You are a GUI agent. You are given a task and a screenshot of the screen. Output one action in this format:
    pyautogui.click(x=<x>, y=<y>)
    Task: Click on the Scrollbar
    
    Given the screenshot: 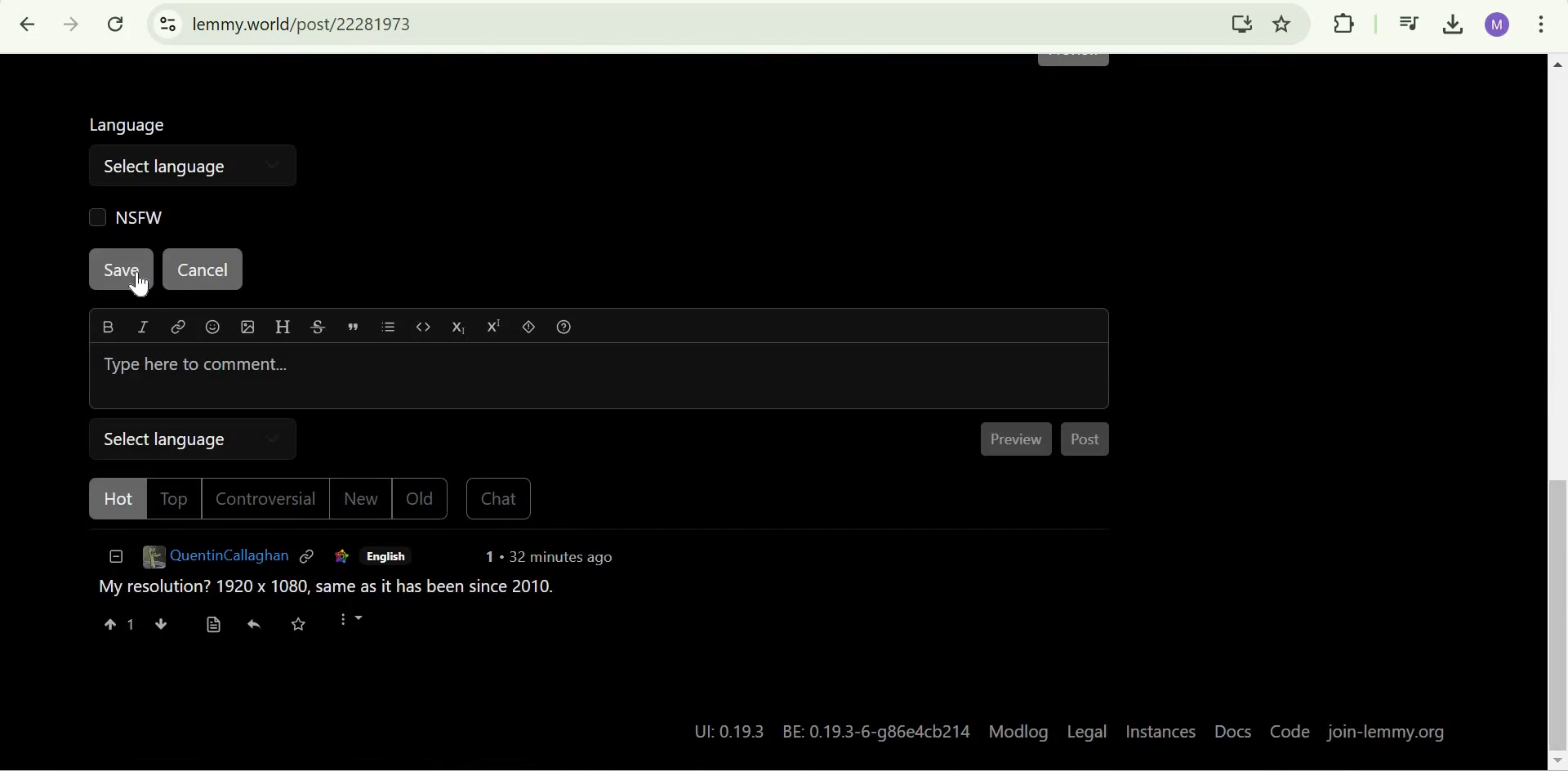 What is the action you would take?
    pyautogui.click(x=1555, y=412)
    